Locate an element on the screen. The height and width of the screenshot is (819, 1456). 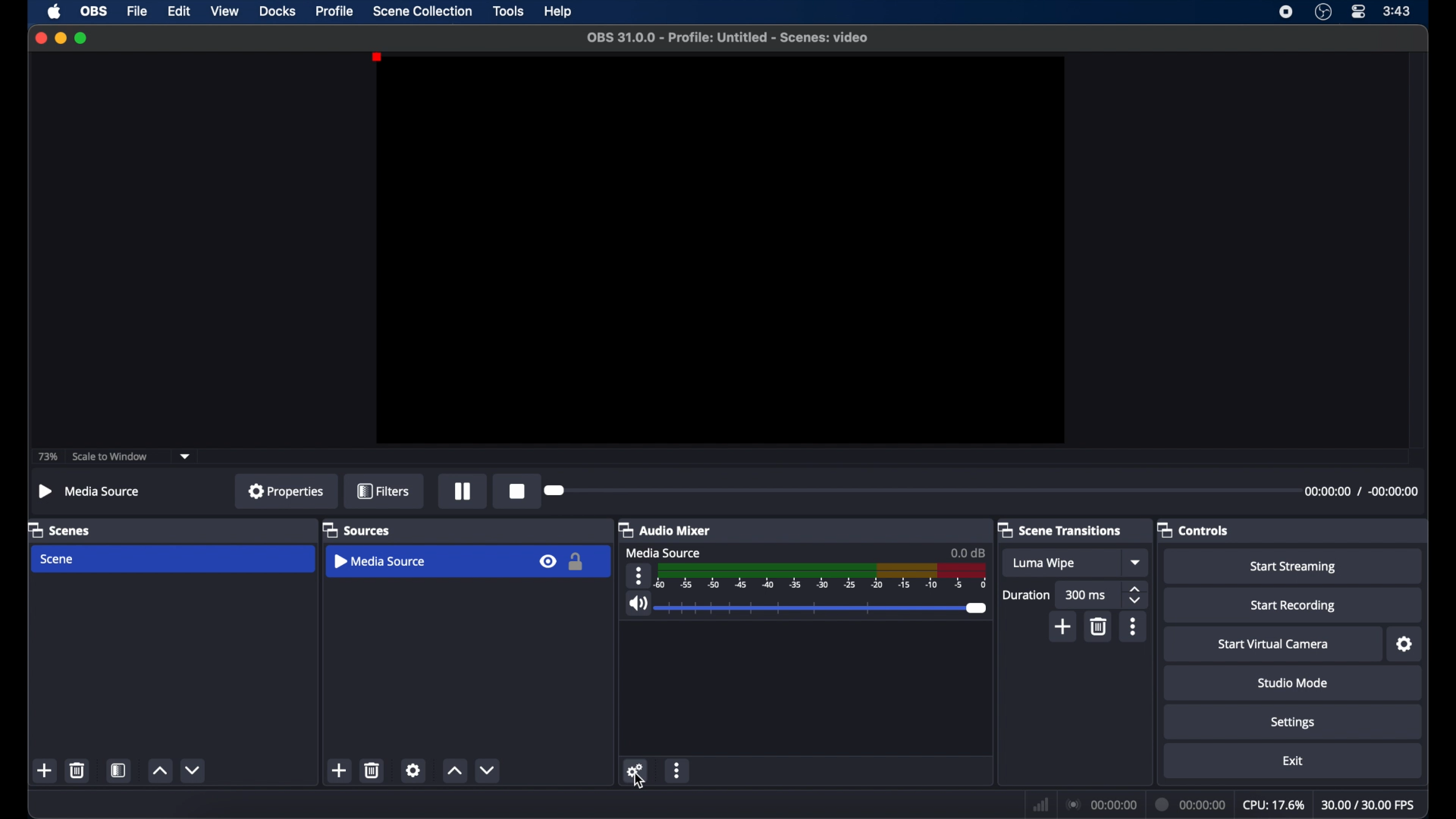
start recording is located at coordinates (1293, 606).